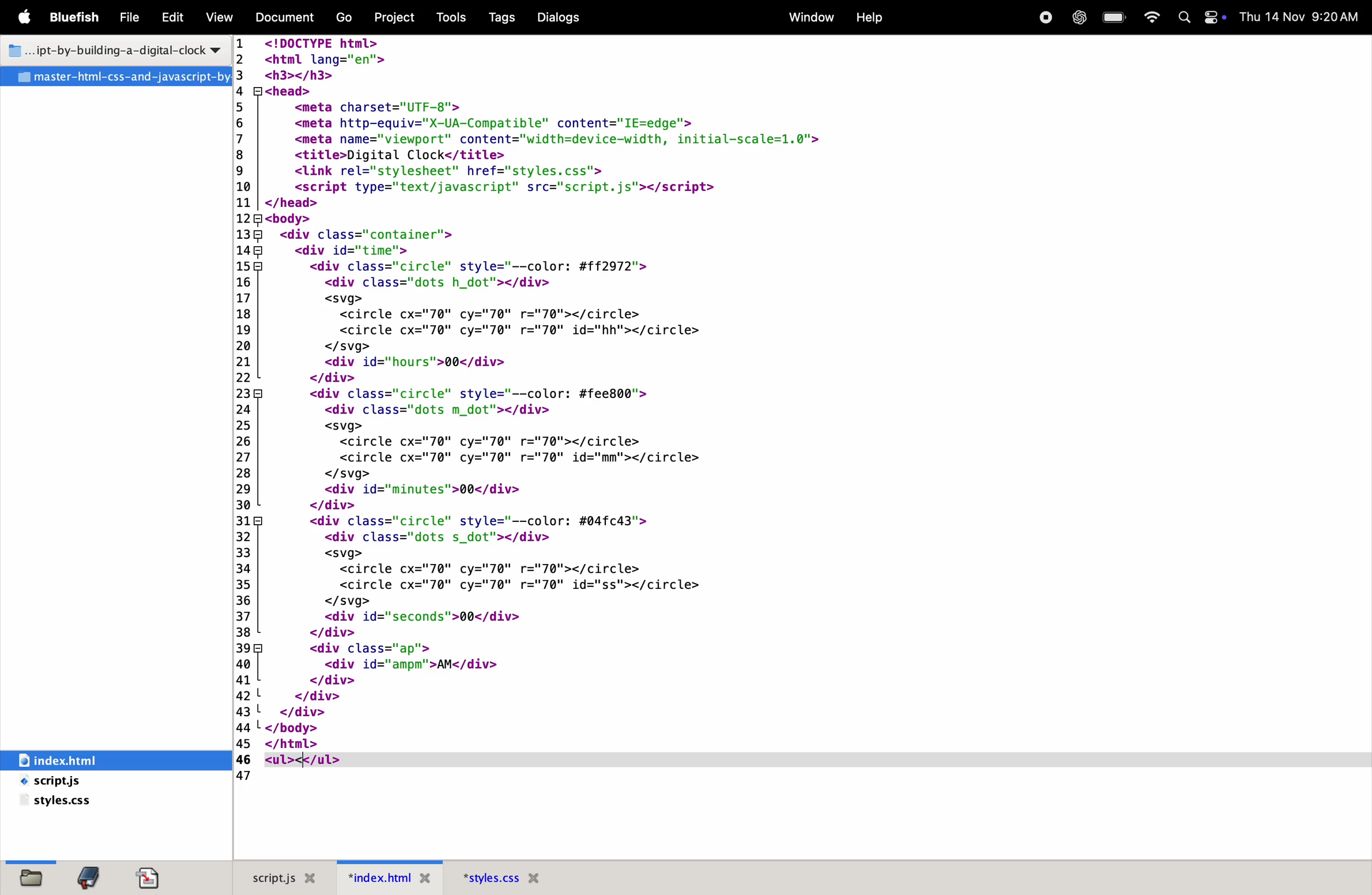 This screenshot has width=1372, height=895. What do you see at coordinates (77, 16) in the screenshot?
I see `BLuefish` at bounding box center [77, 16].